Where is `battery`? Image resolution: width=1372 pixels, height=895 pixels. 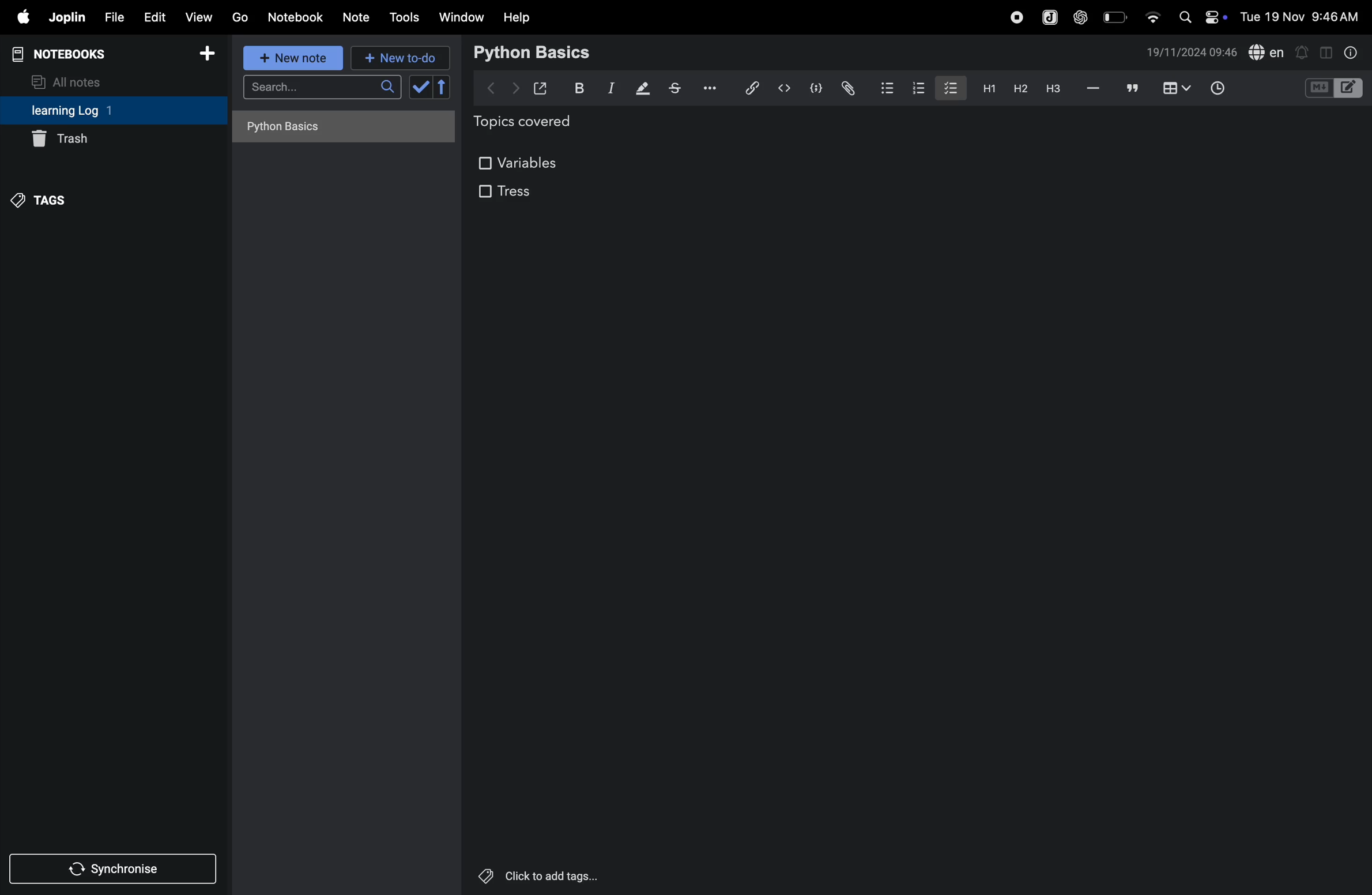
battery is located at coordinates (1116, 16).